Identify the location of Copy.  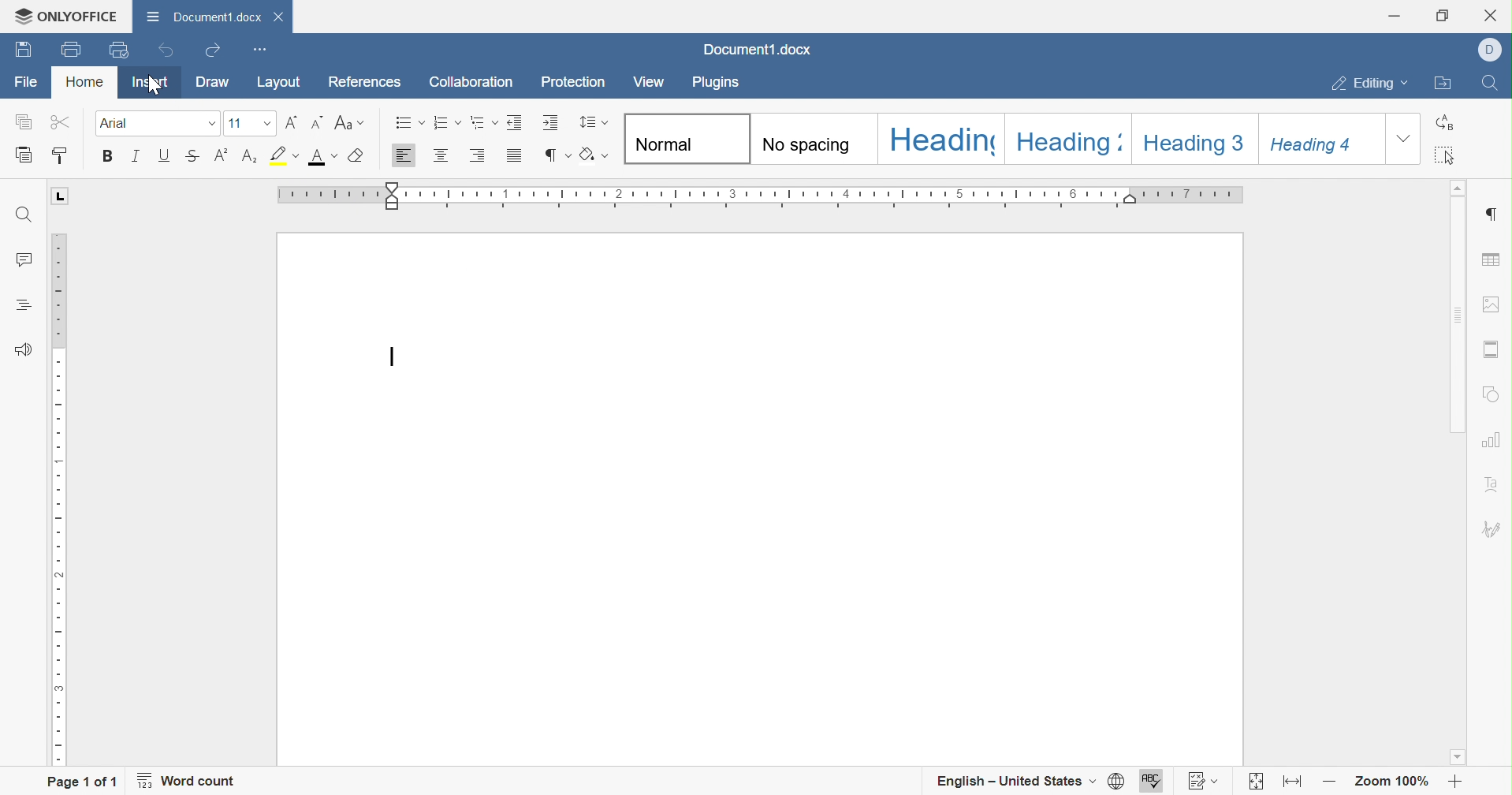
(19, 121).